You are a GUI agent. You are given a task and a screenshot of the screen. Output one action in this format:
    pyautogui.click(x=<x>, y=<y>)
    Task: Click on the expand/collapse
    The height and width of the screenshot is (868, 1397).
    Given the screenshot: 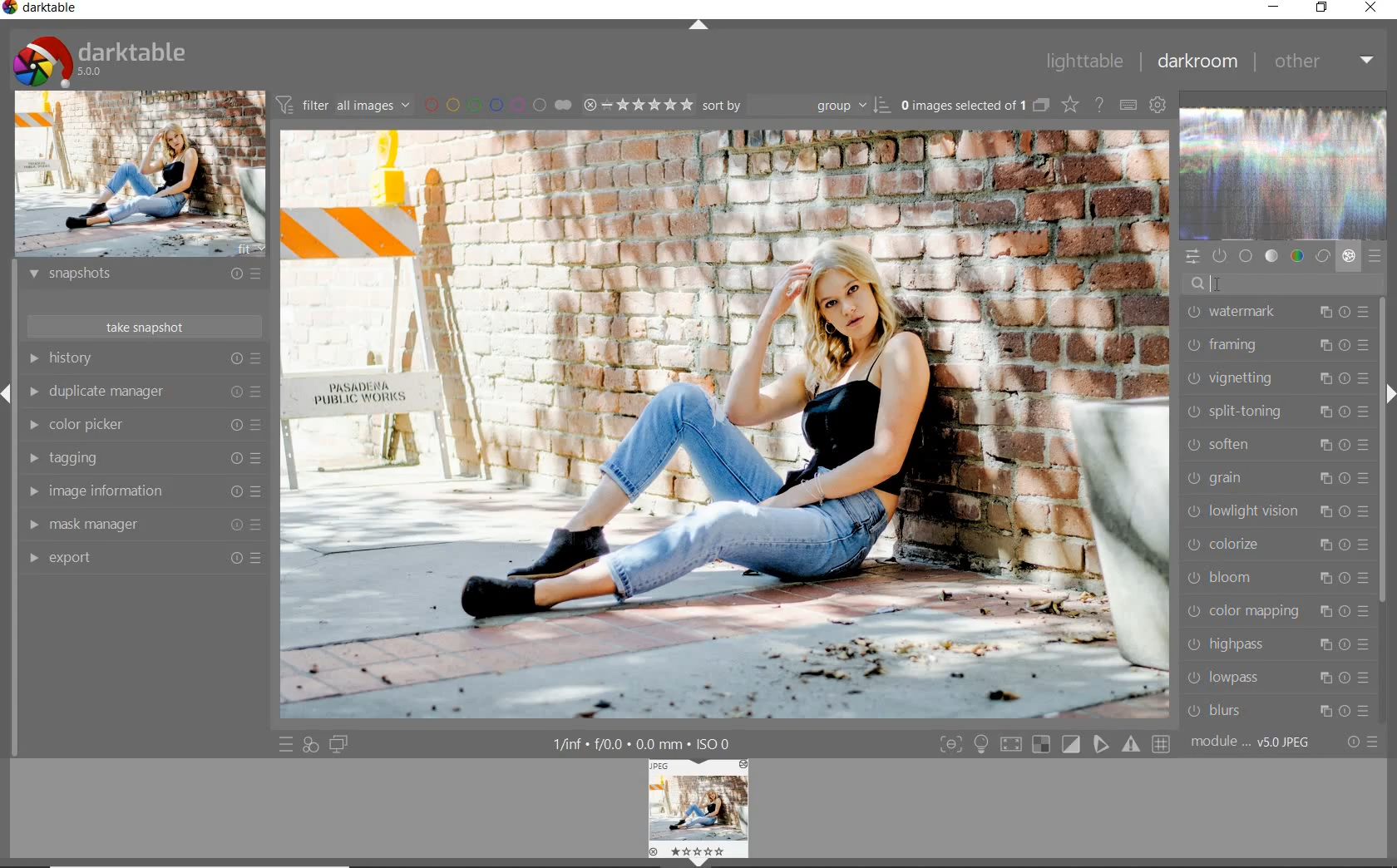 What is the action you would take?
    pyautogui.click(x=698, y=27)
    